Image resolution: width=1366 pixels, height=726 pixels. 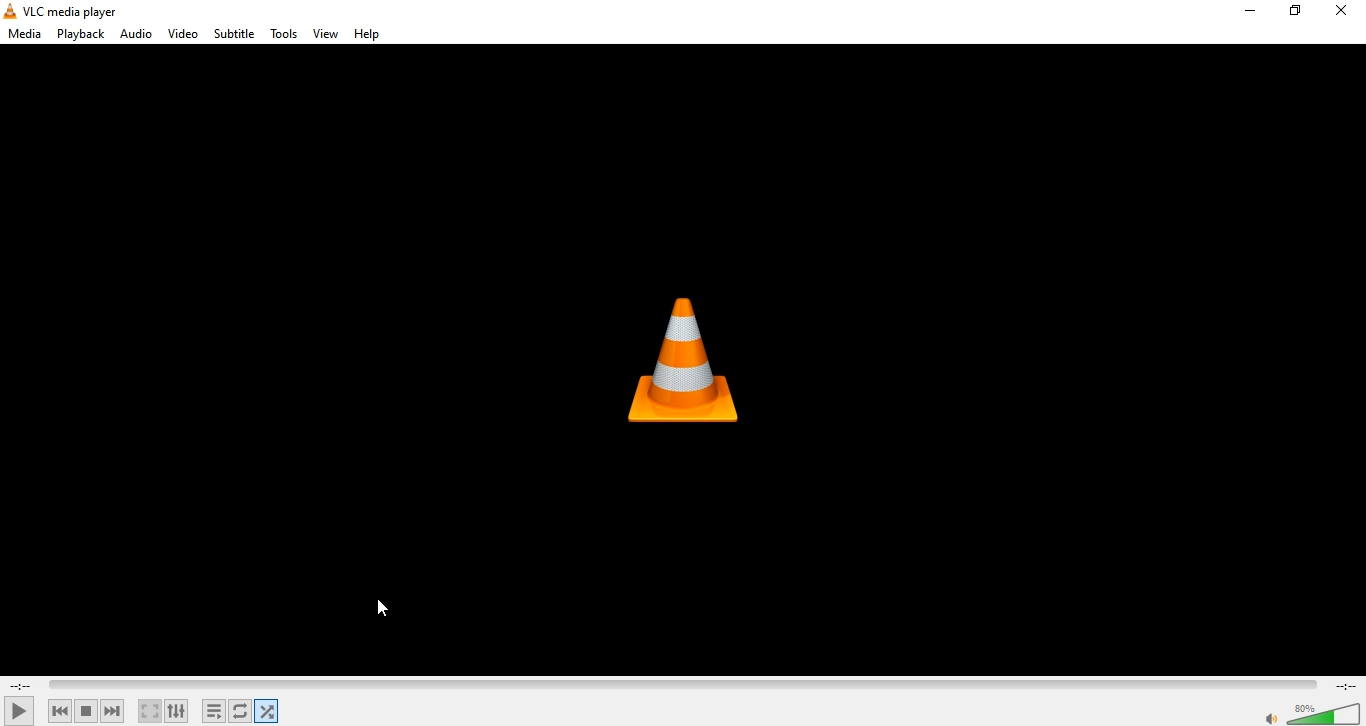 I want to click on VLC media player, so click(x=62, y=11).